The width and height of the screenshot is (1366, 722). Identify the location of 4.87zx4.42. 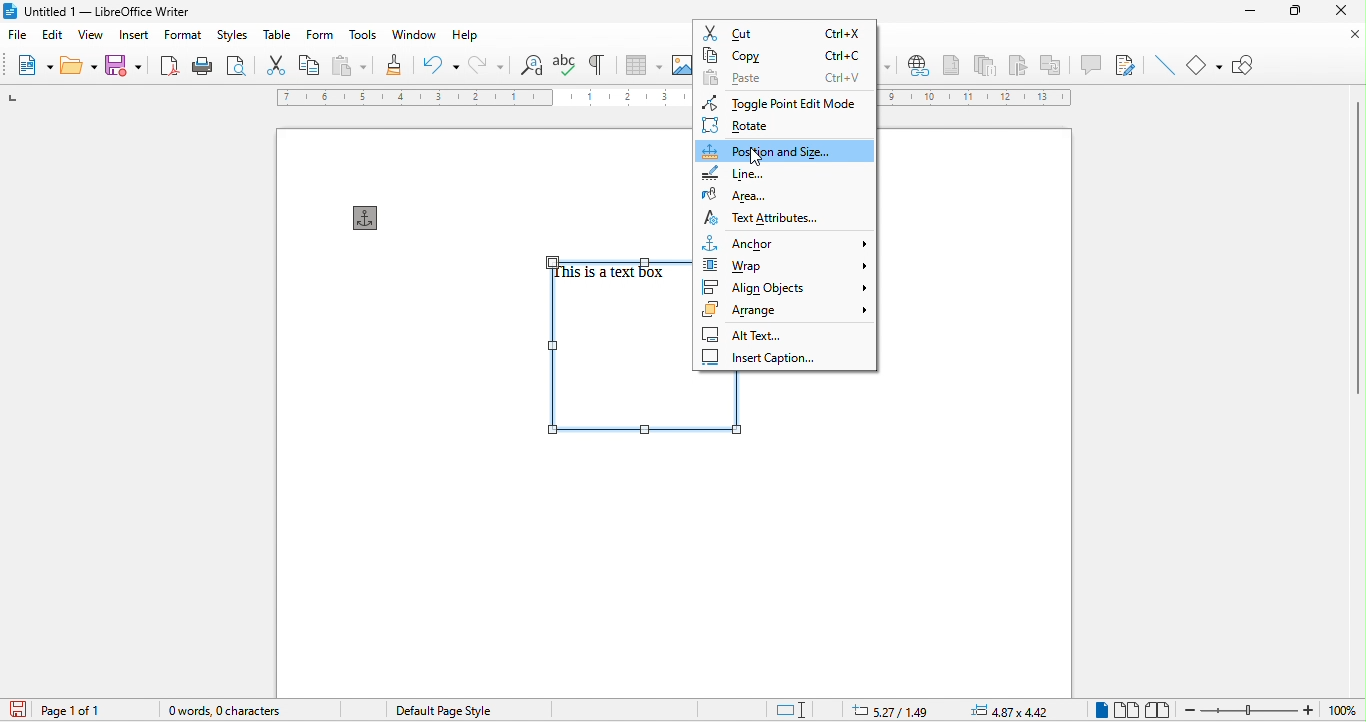
(1010, 709).